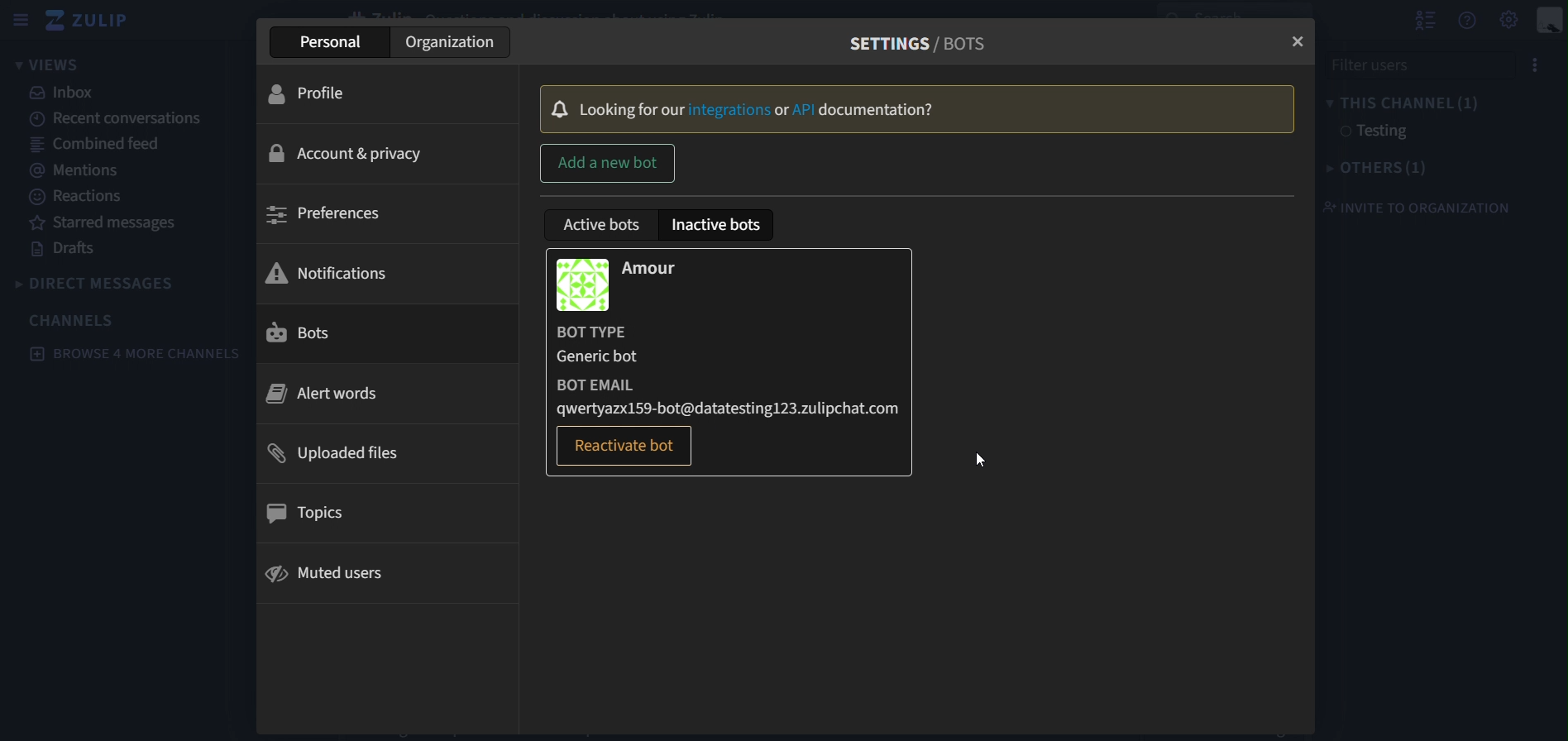 This screenshot has width=1568, height=741. What do you see at coordinates (65, 93) in the screenshot?
I see `inbox` at bounding box center [65, 93].